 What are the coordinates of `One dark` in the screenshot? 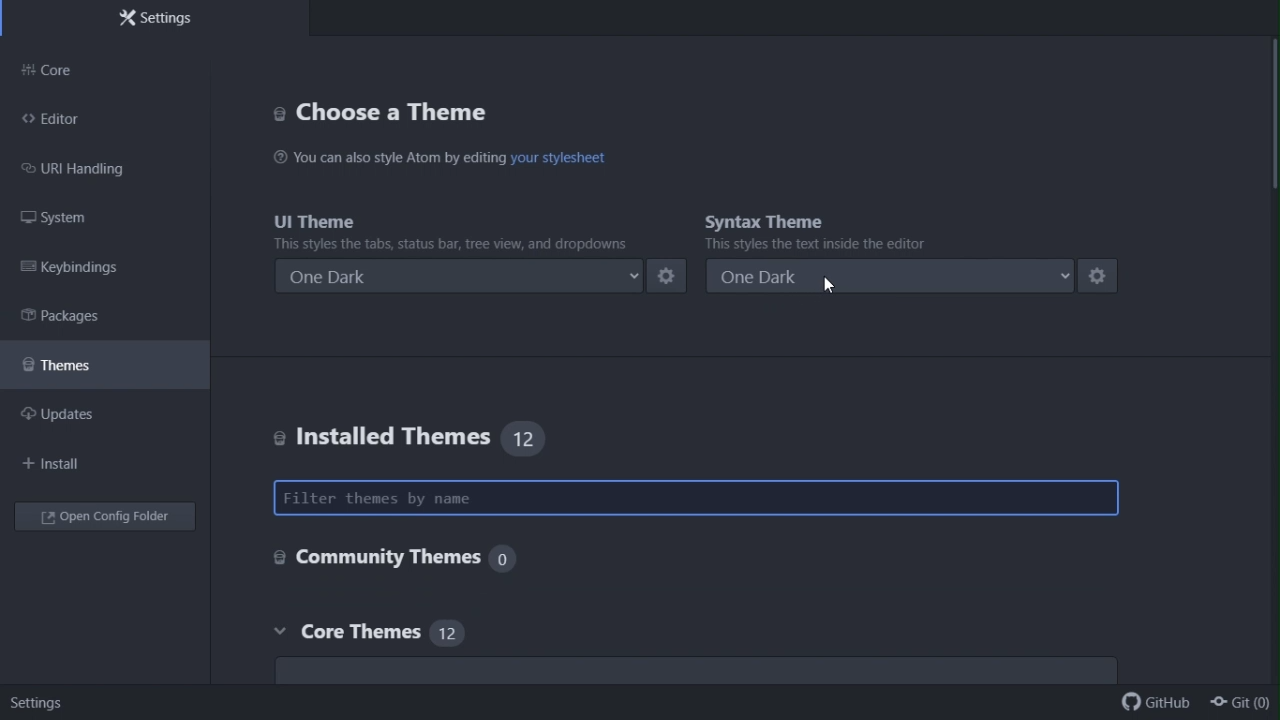 It's located at (895, 276).